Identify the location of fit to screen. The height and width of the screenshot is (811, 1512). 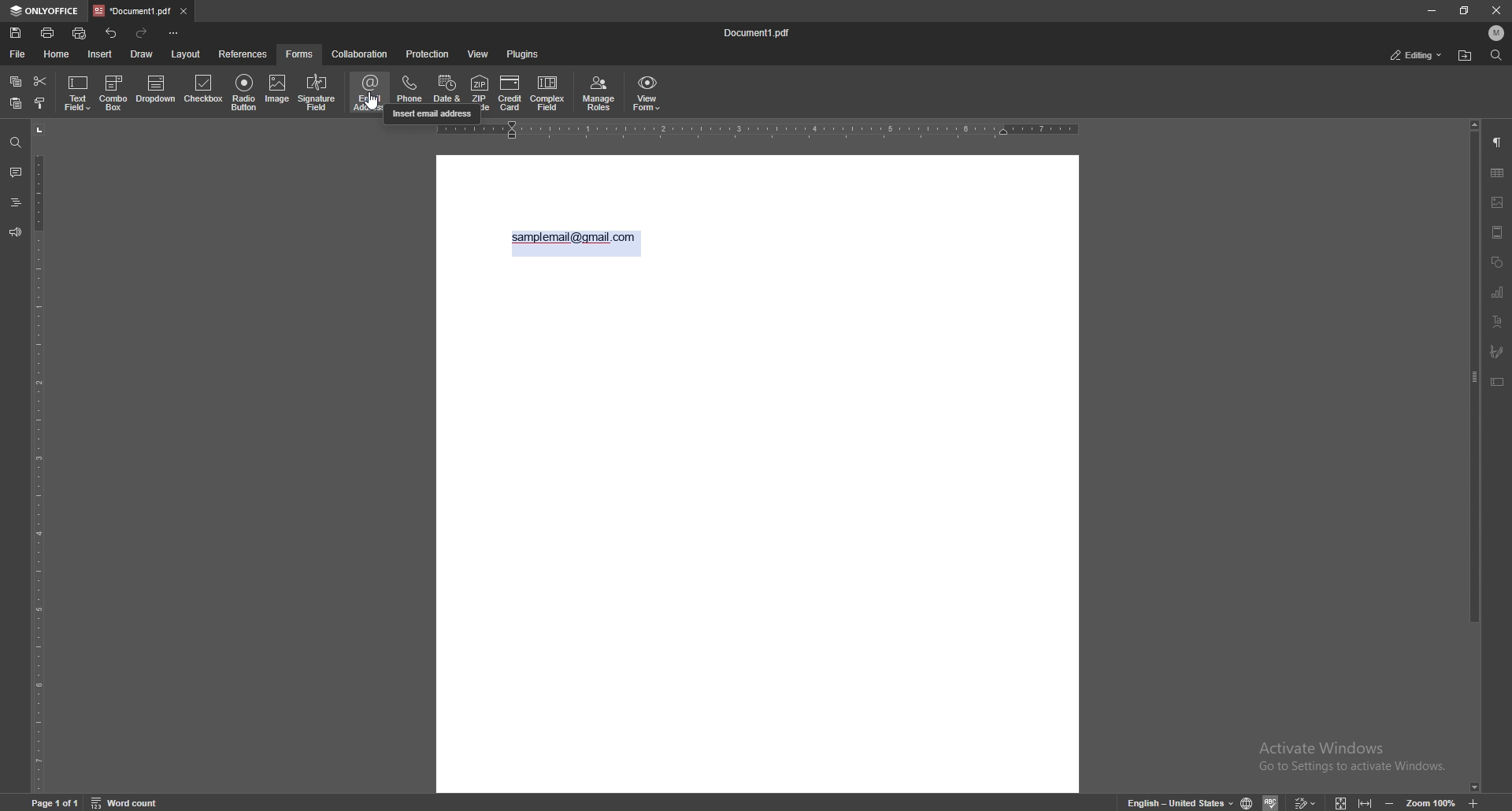
(1344, 802).